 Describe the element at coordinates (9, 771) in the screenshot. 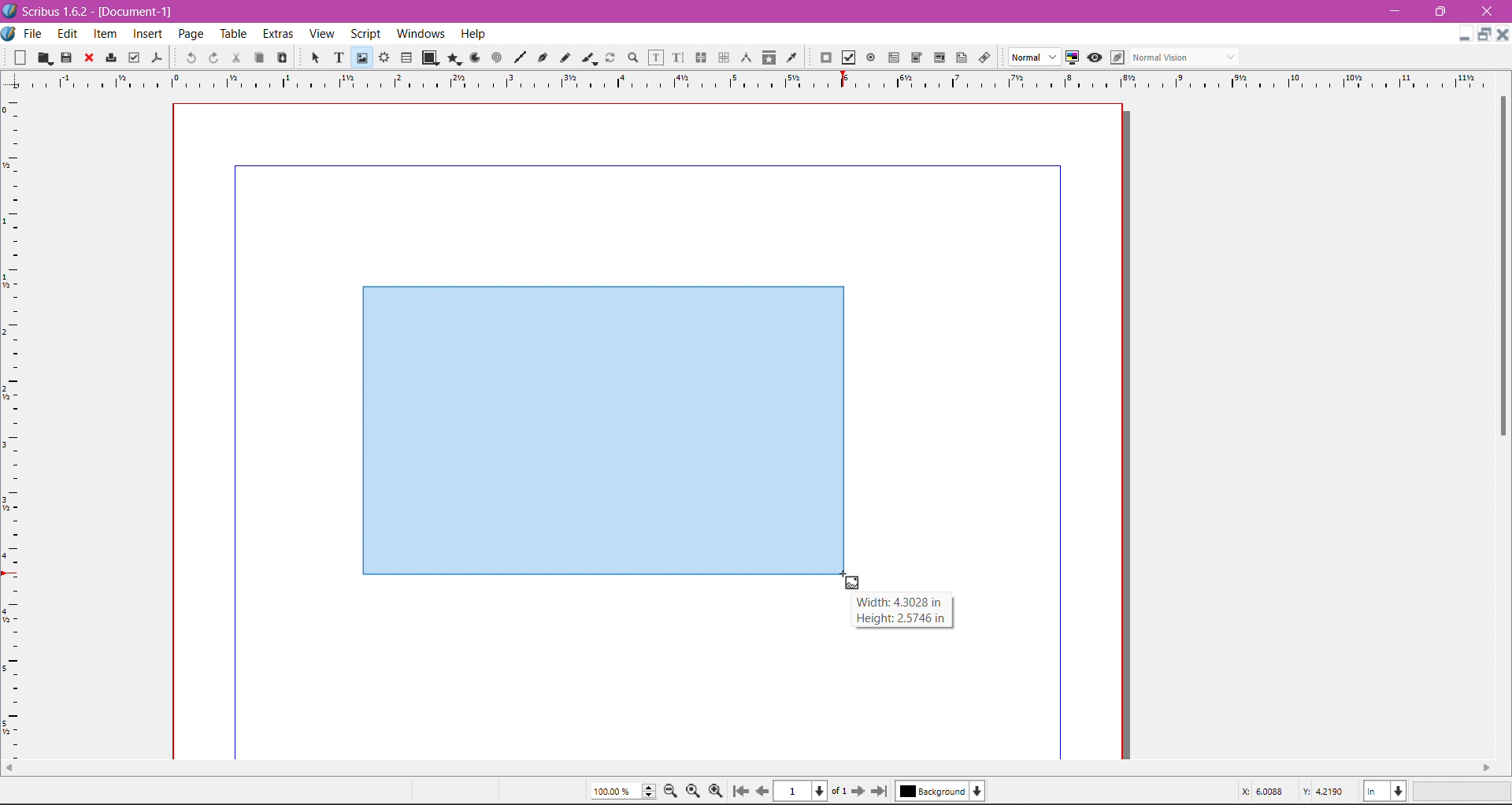

I see `scroll right` at that location.